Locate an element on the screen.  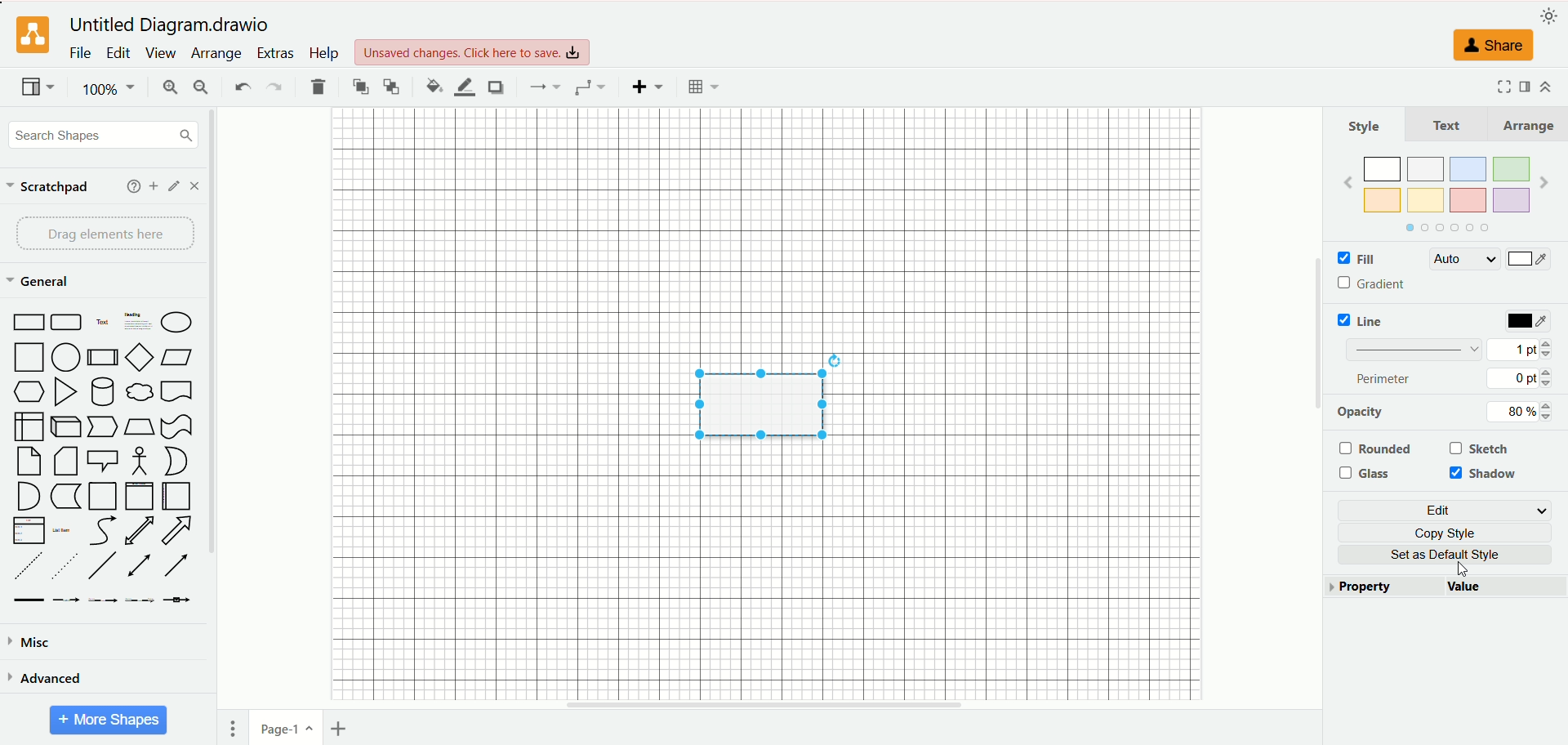
shape is located at coordinates (757, 401).